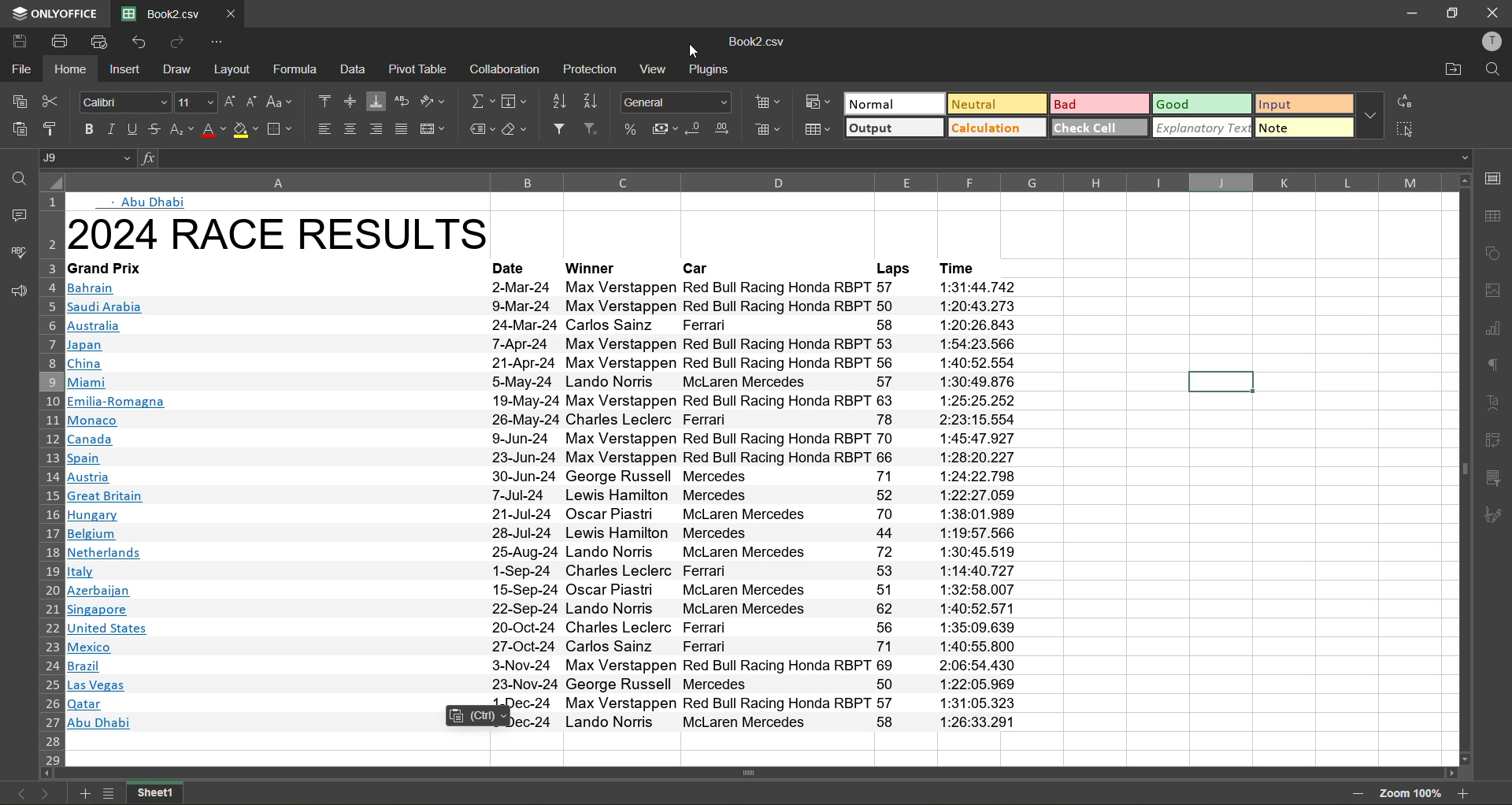 Image resolution: width=1512 pixels, height=805 pixels. What do you see at coordinates (1203, 129) in the screenshot?
I see `explanatory text` at bounding box center [1203, 129].